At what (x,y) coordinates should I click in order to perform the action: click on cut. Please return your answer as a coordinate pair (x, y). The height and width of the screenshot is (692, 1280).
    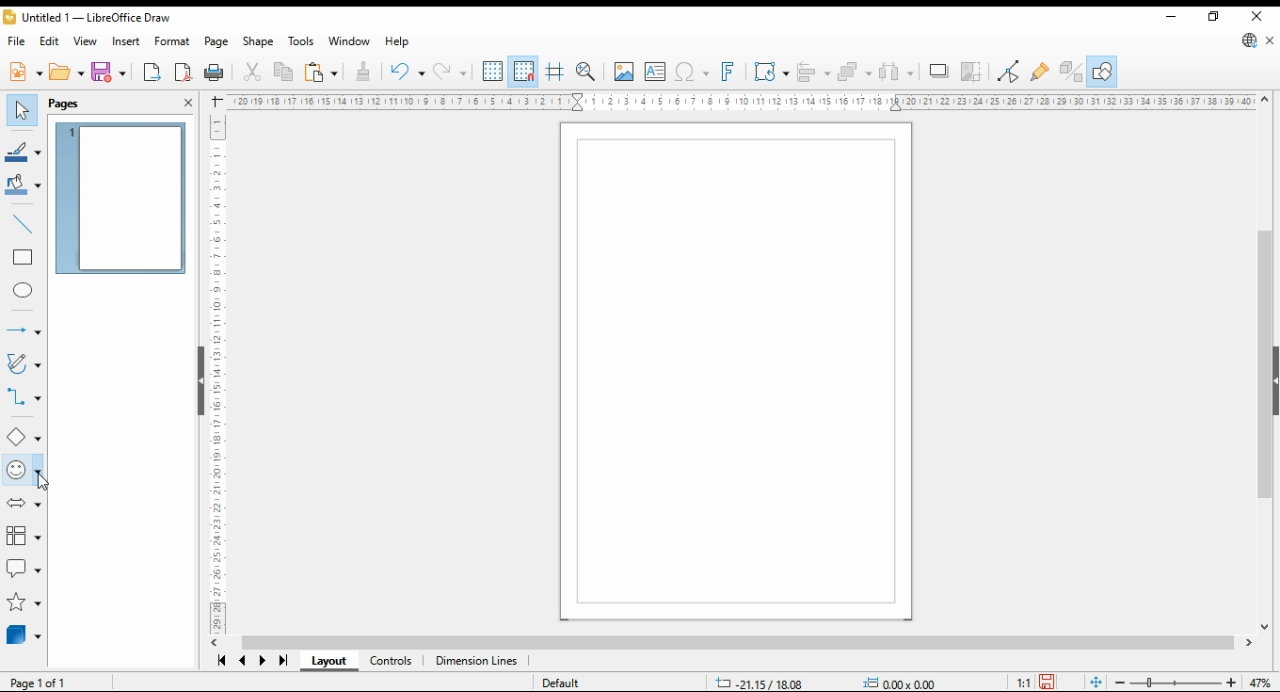
    Looking at the image, I should click on (252, 72).